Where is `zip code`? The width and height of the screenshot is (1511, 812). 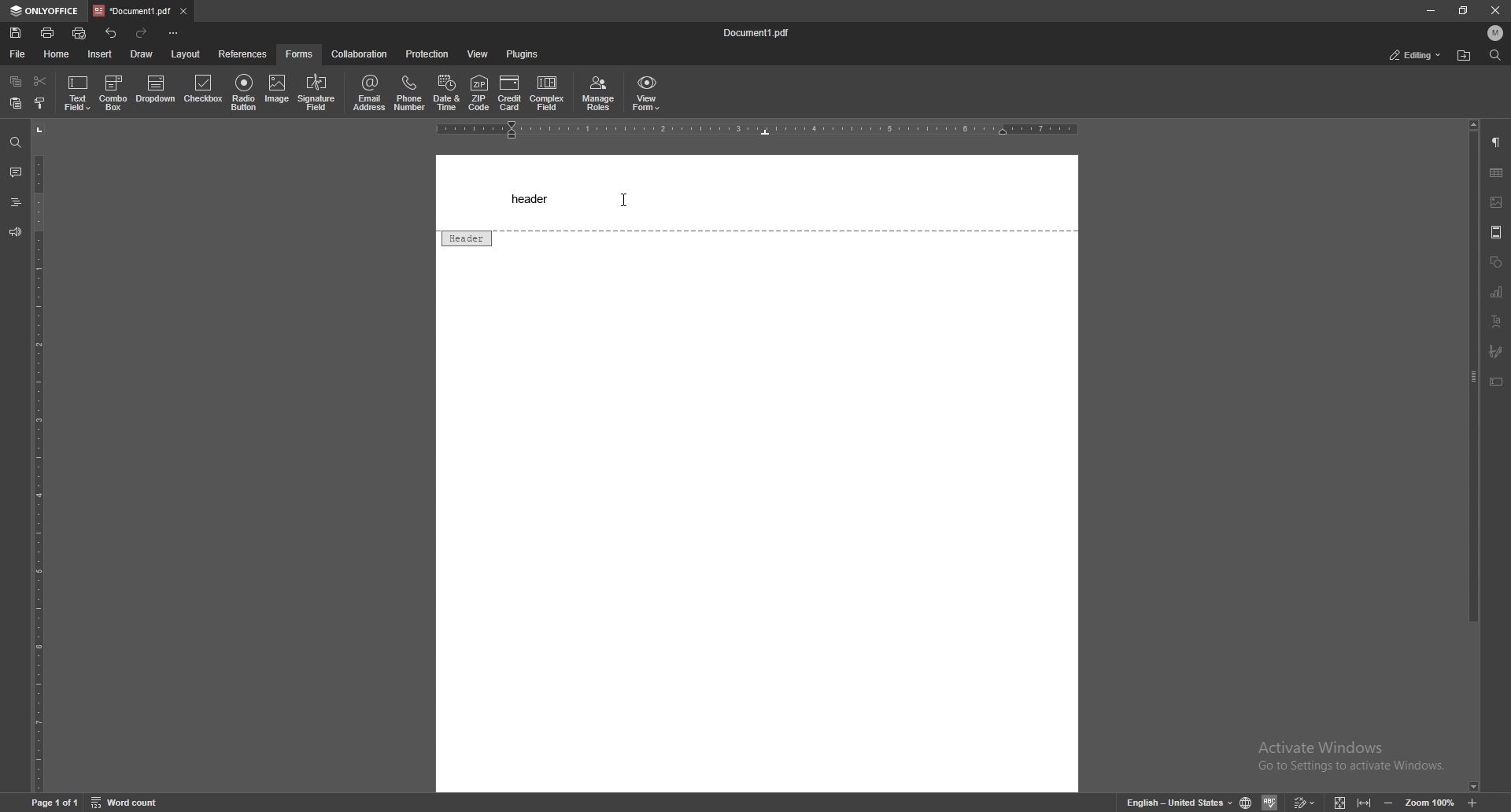
zip code is located at coordinates (479, 93).